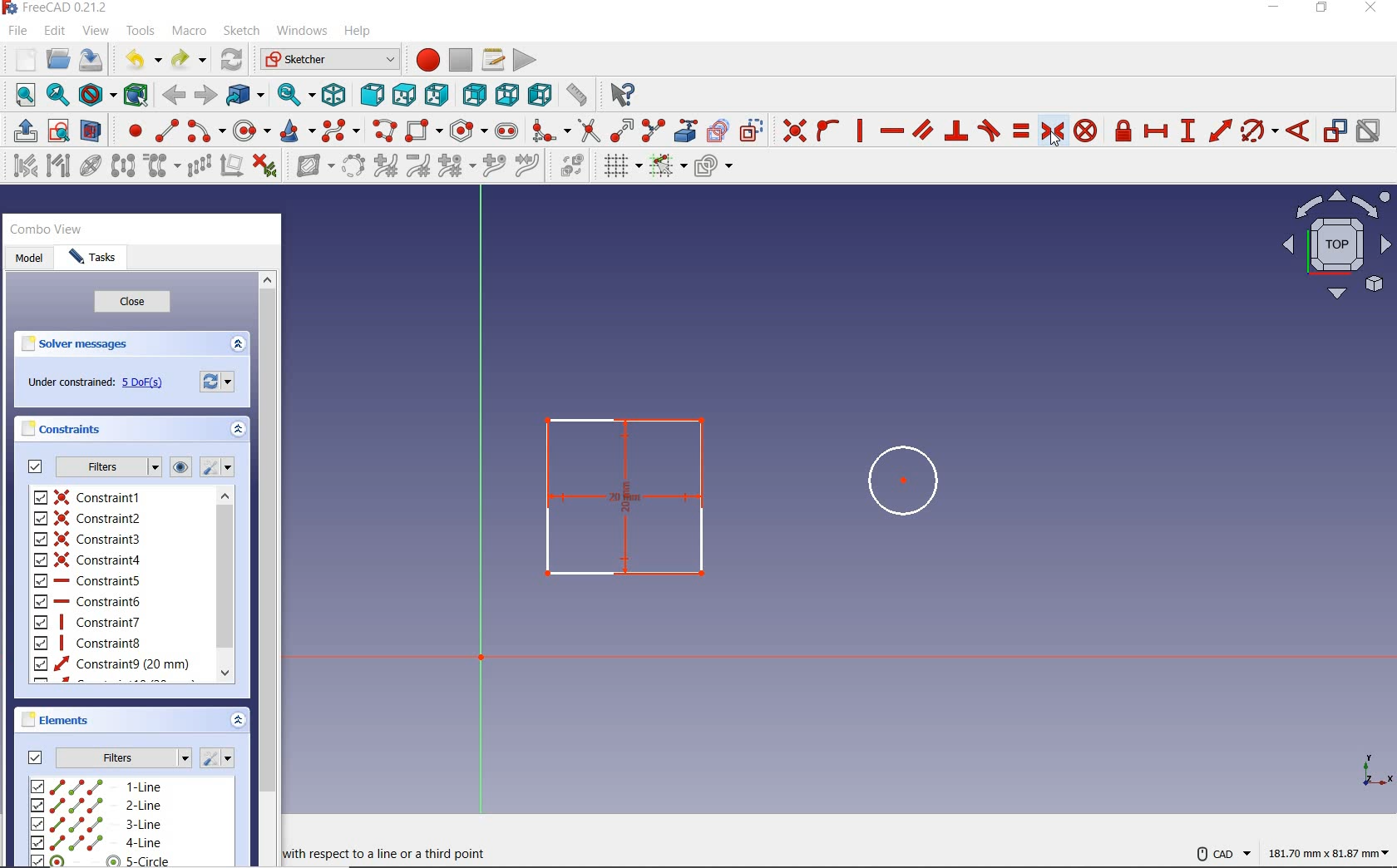 The height and width of the screenshot is (868, 1397). I want to click on measure distance, so click(578, 94).